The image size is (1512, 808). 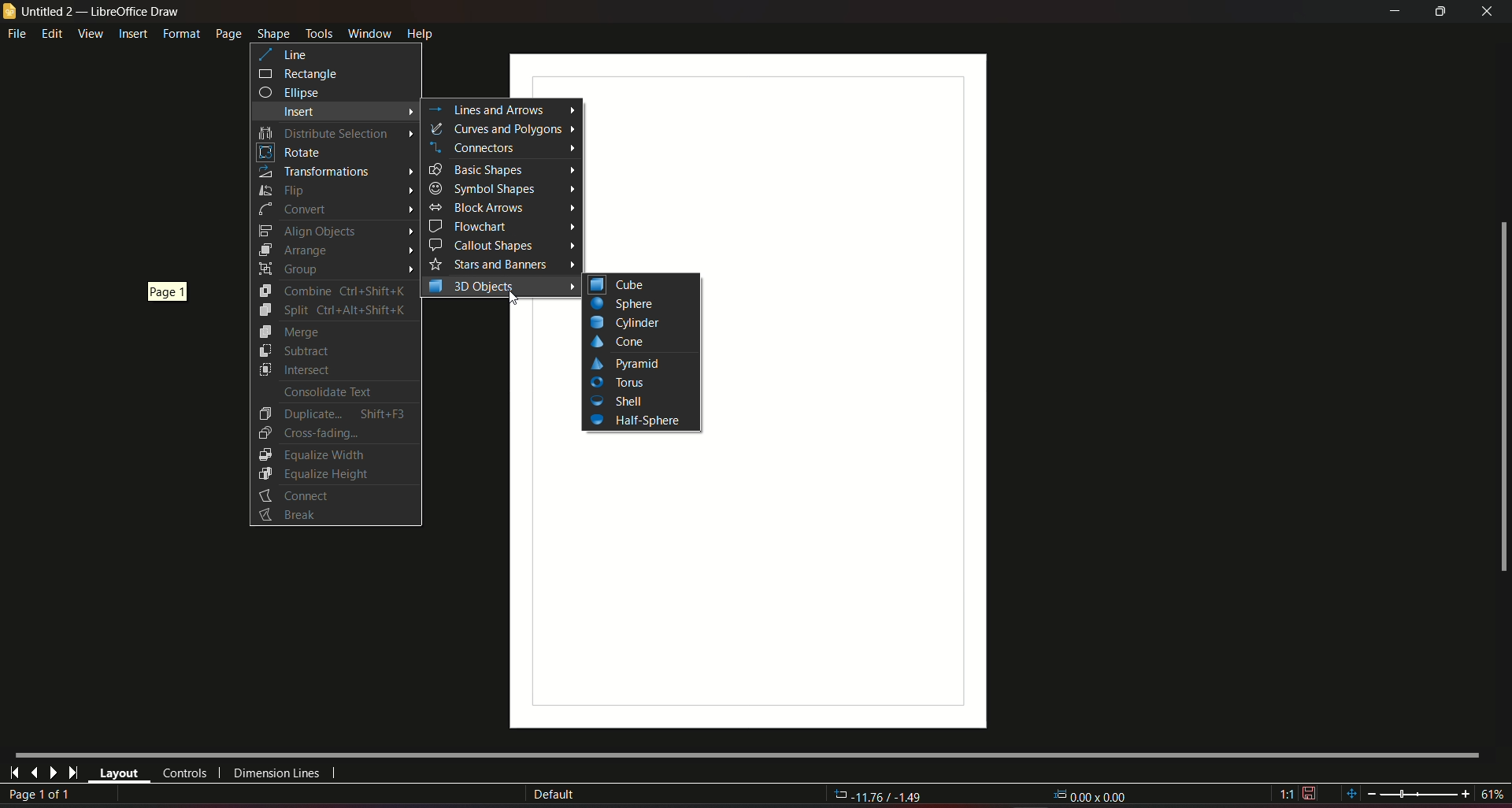 What do you see at coordinates (34, 772) in the screenshot?
I see `last page` at bounding box center [34, 772].